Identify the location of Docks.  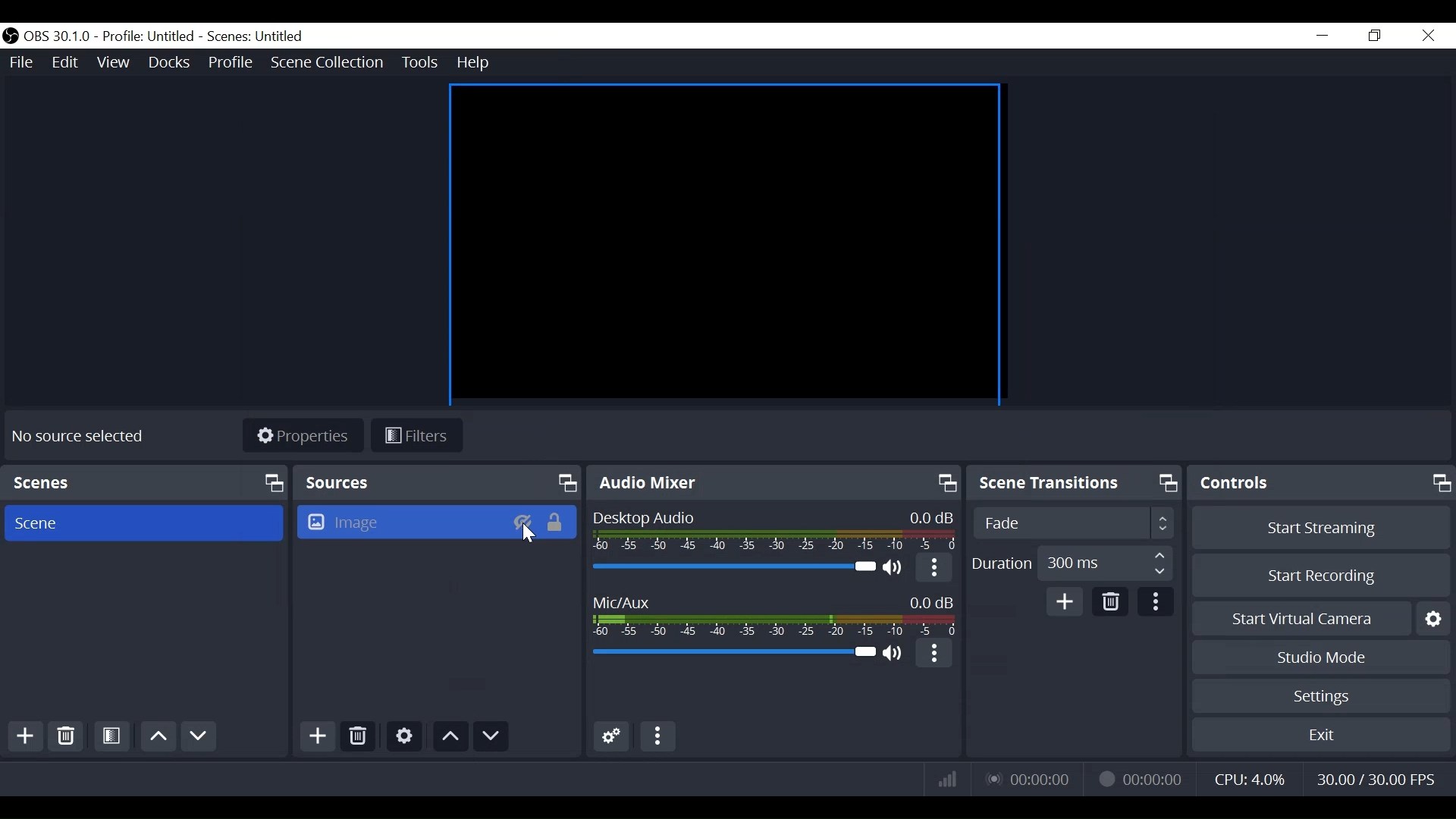
(170, 61).